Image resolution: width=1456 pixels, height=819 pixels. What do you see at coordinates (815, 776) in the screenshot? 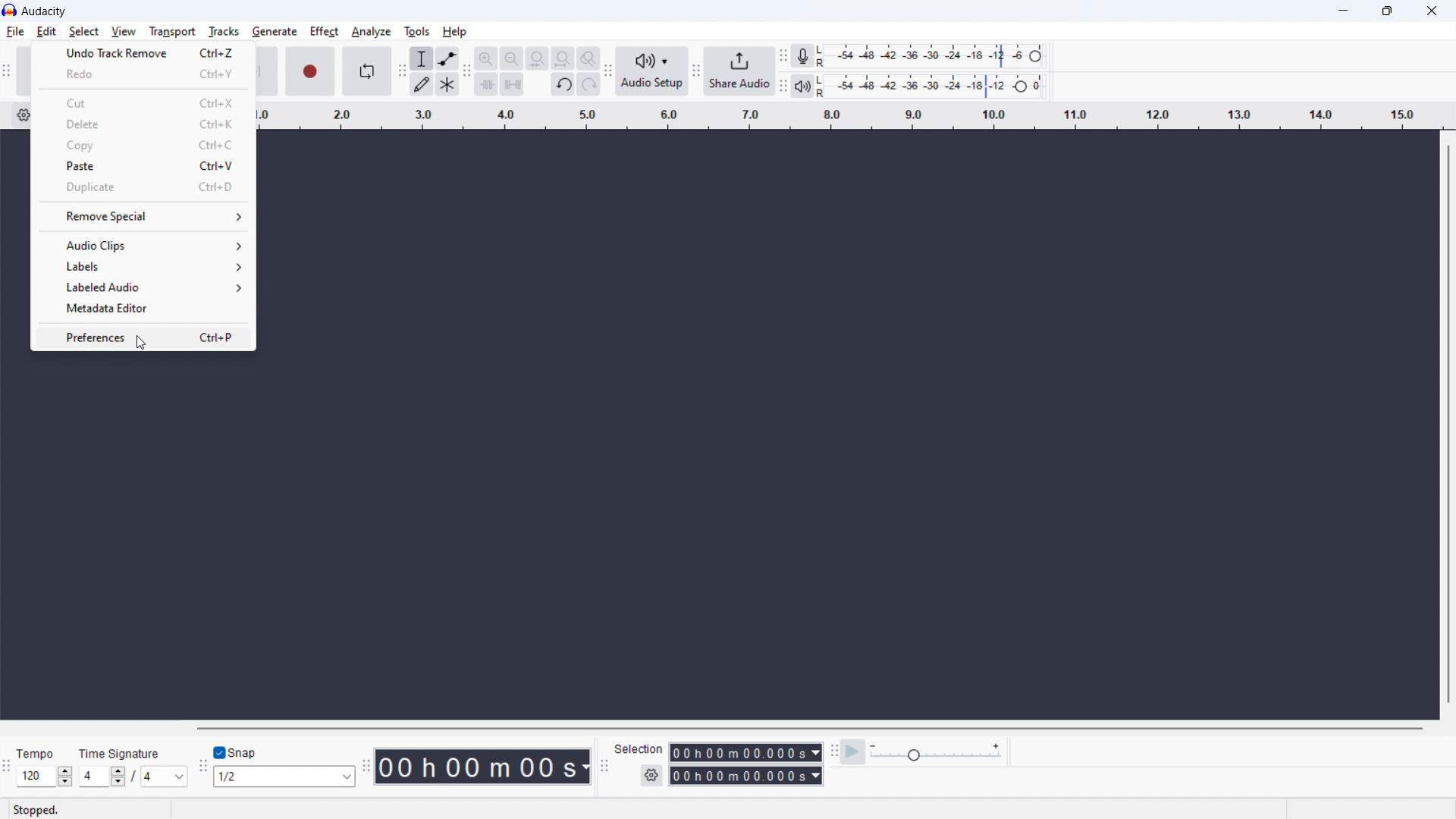
I see `Duration measurement` at bounding box center [815, 776].